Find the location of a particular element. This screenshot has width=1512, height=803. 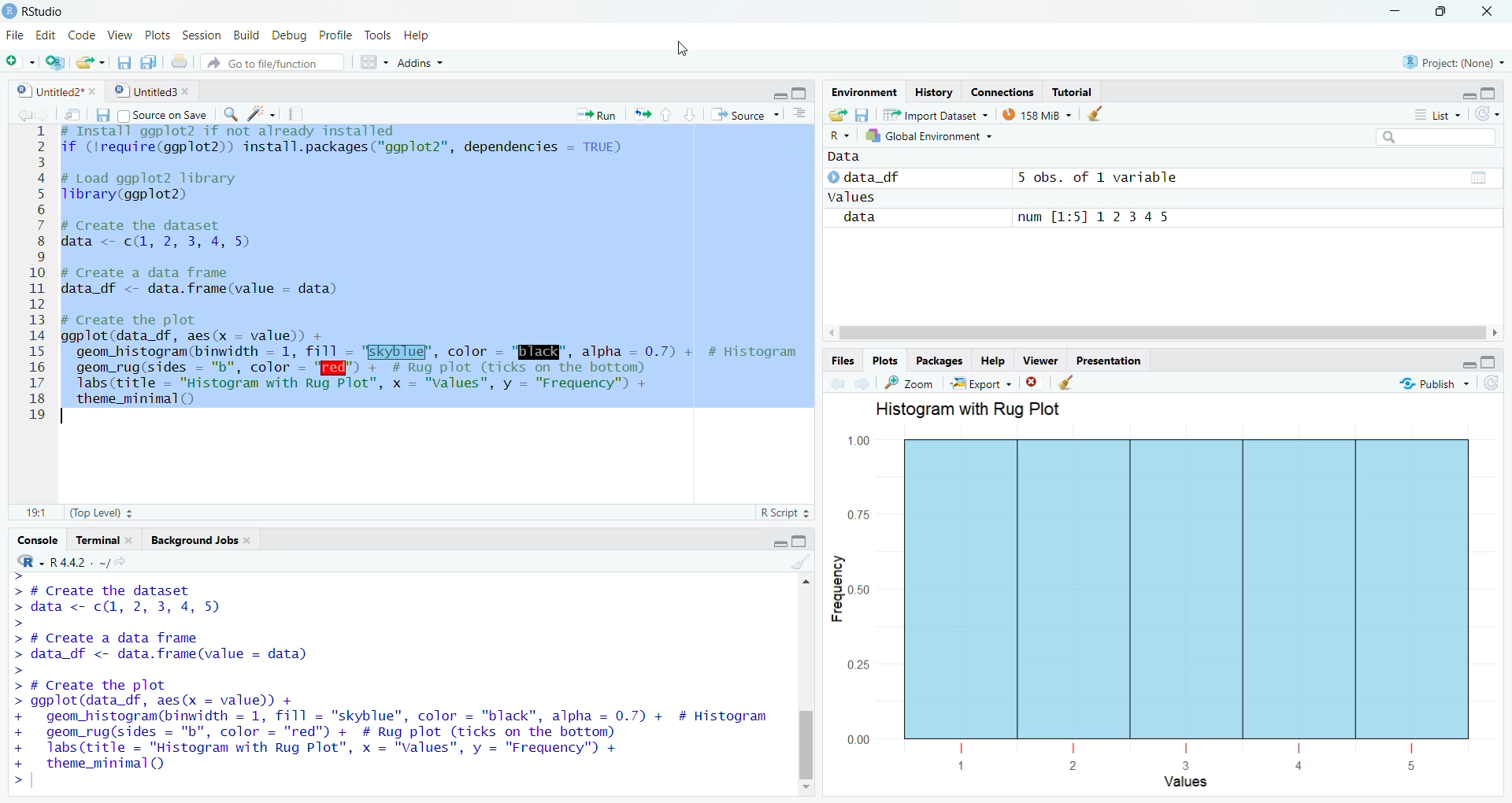

Save current document is located at coordinates (121, 62).